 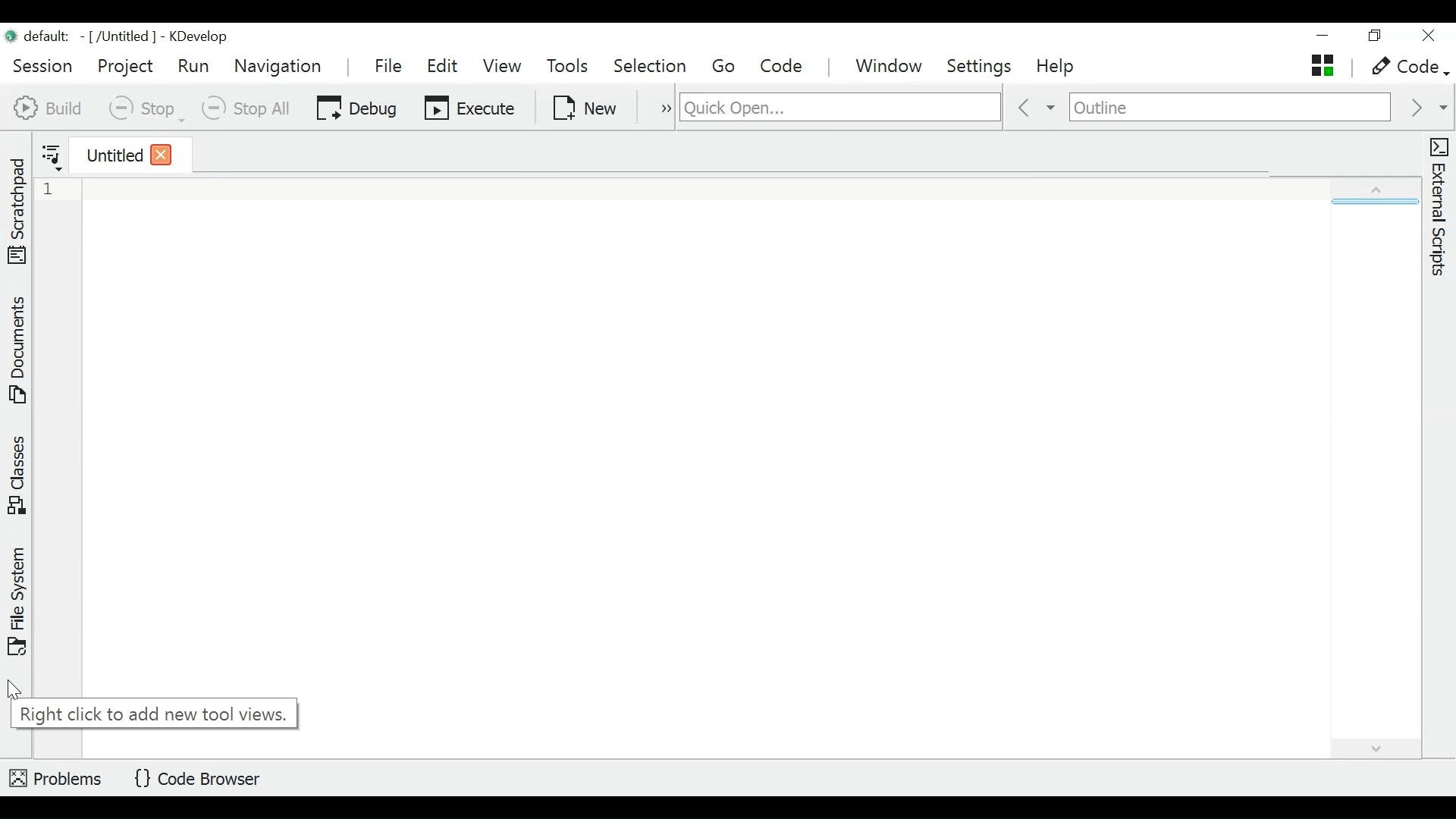 I want to click on Right click to add new tool views, so click(x=154, y=712).